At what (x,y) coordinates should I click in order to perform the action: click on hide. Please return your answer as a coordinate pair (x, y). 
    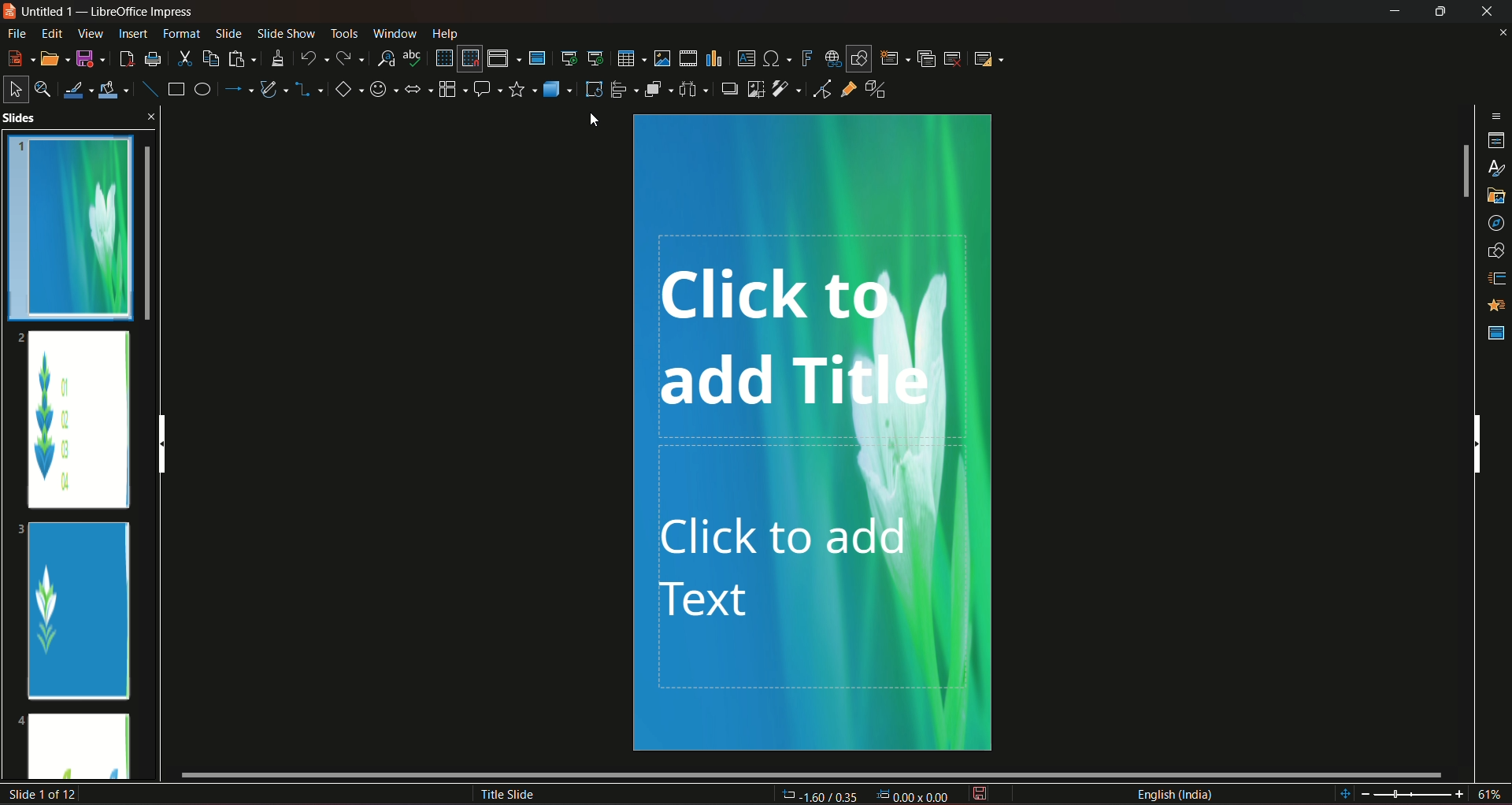
    Looking at the image, I should click on (1437, 12).